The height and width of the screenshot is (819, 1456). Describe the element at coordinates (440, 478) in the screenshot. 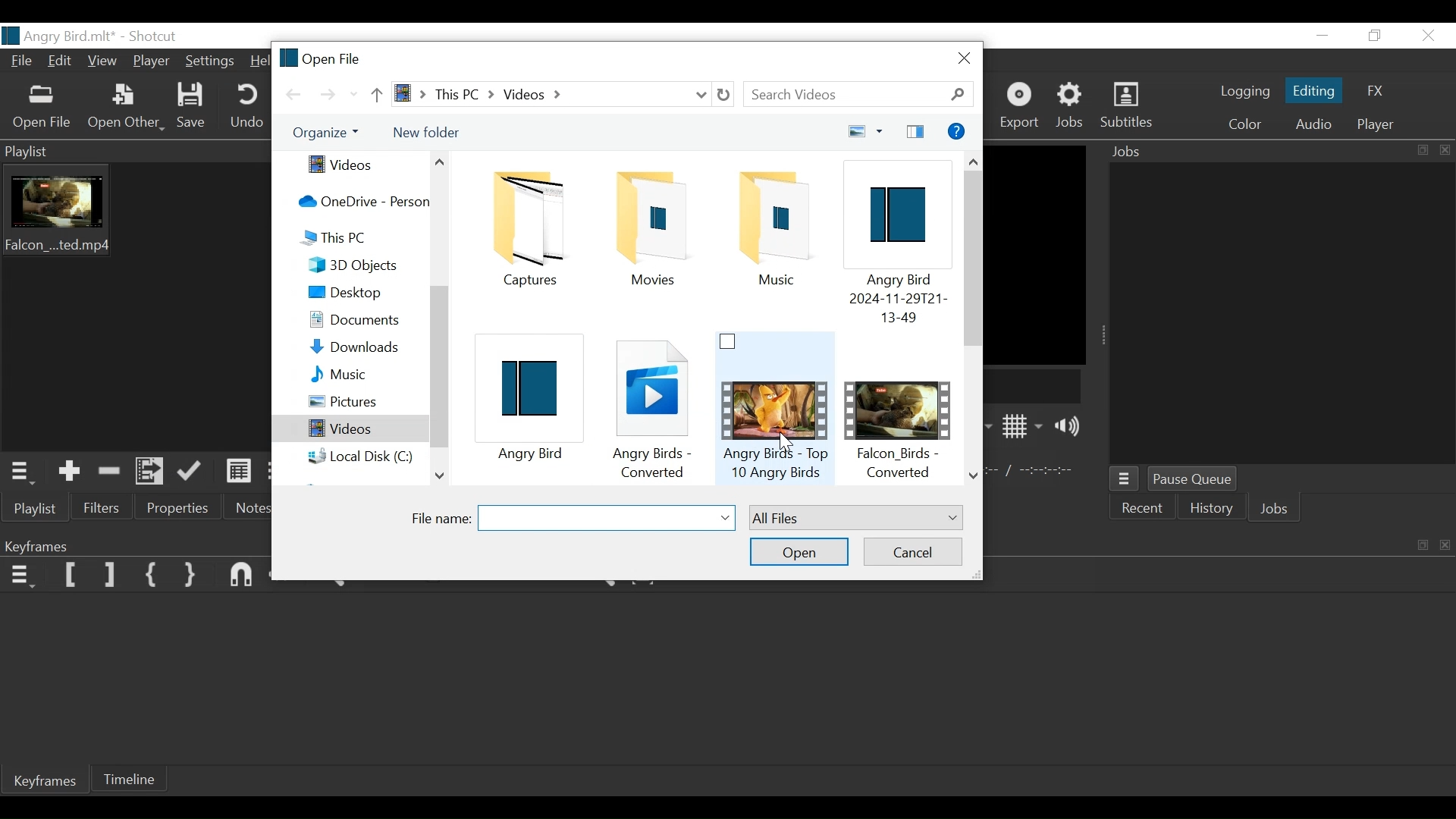

I see `Scroll down` at that location.